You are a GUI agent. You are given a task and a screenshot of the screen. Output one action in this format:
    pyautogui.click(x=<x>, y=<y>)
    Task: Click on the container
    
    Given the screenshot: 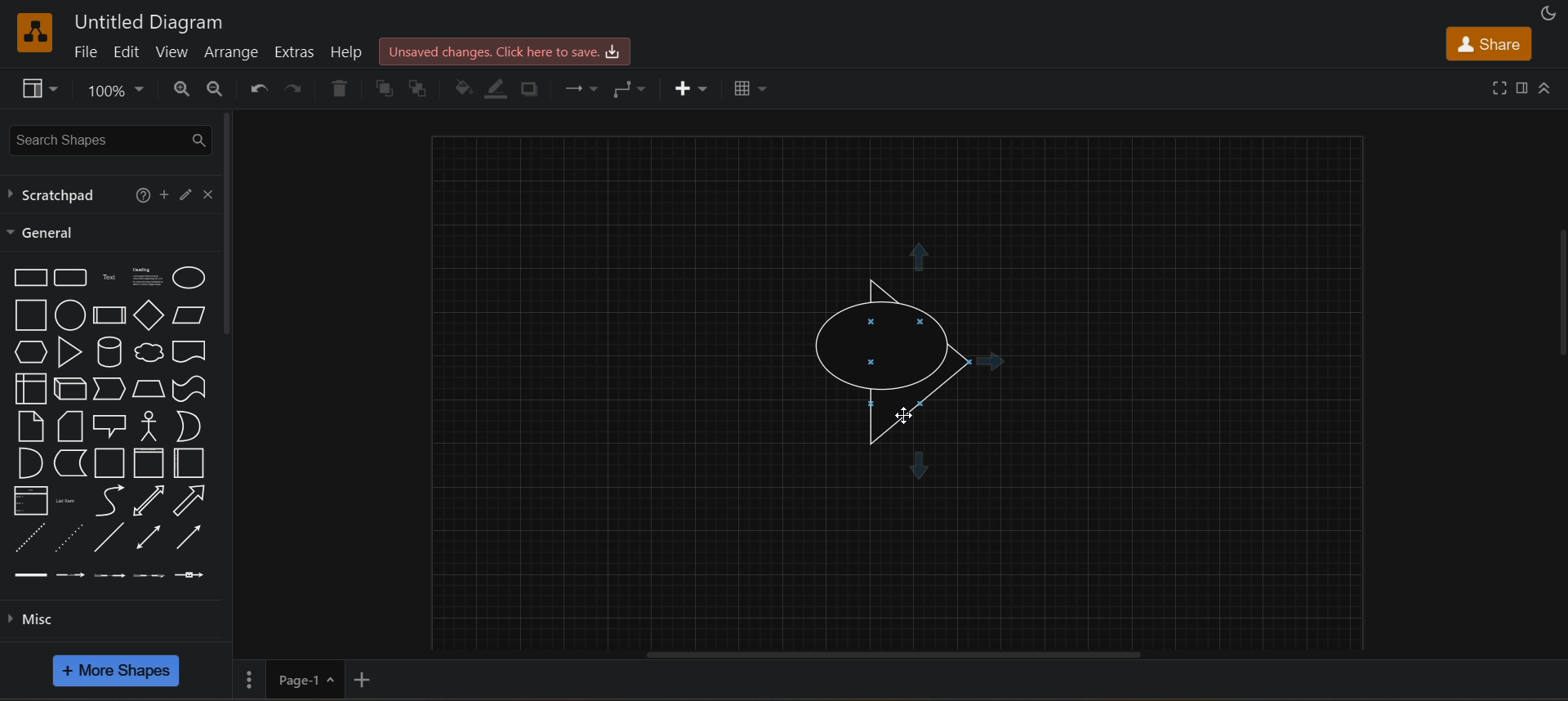 What is the action you would take?
    pyautogui.click(x=189, y=462)
    